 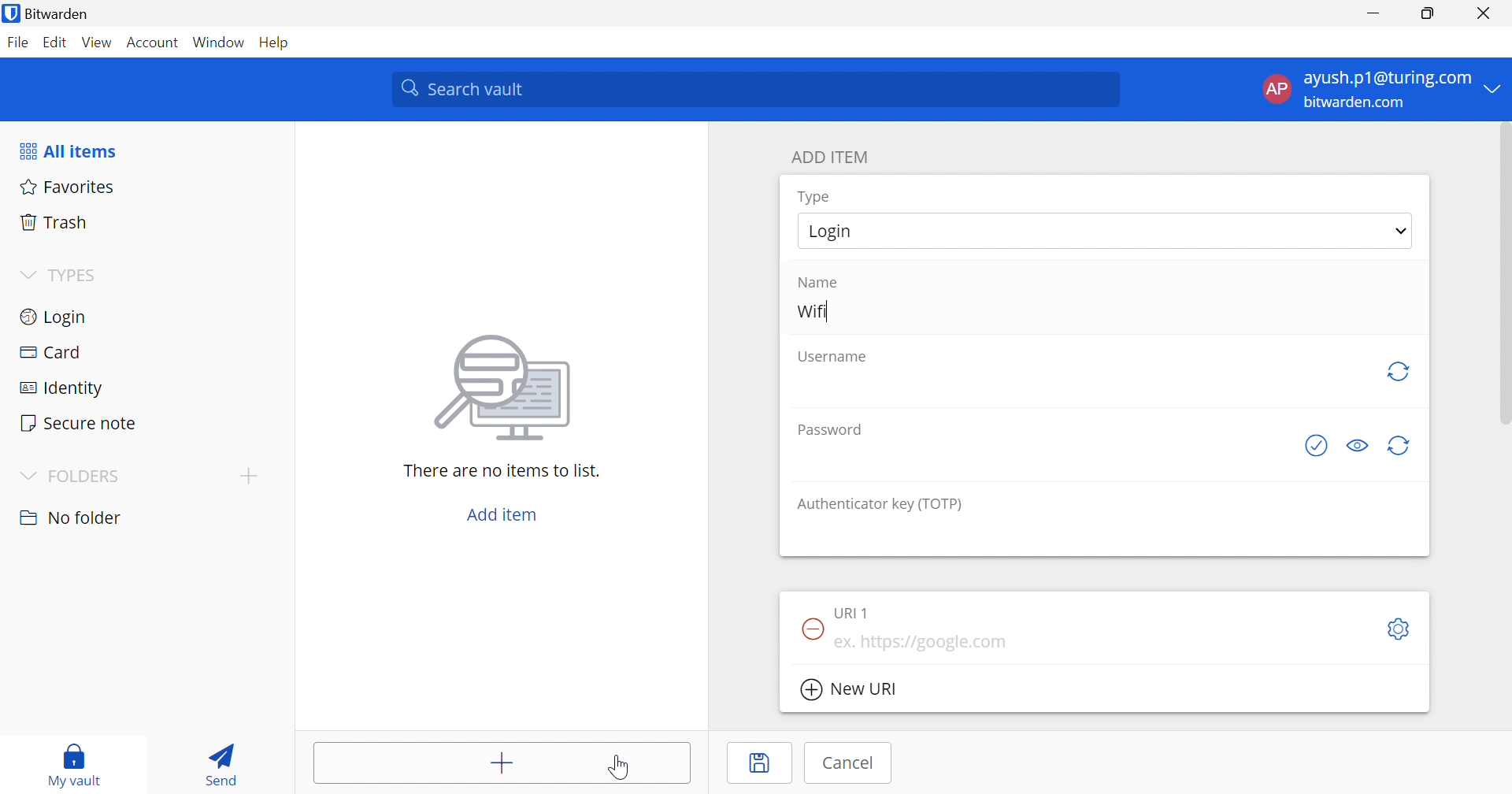 I want to click on scrollbar, so click(x=1503, y=273).